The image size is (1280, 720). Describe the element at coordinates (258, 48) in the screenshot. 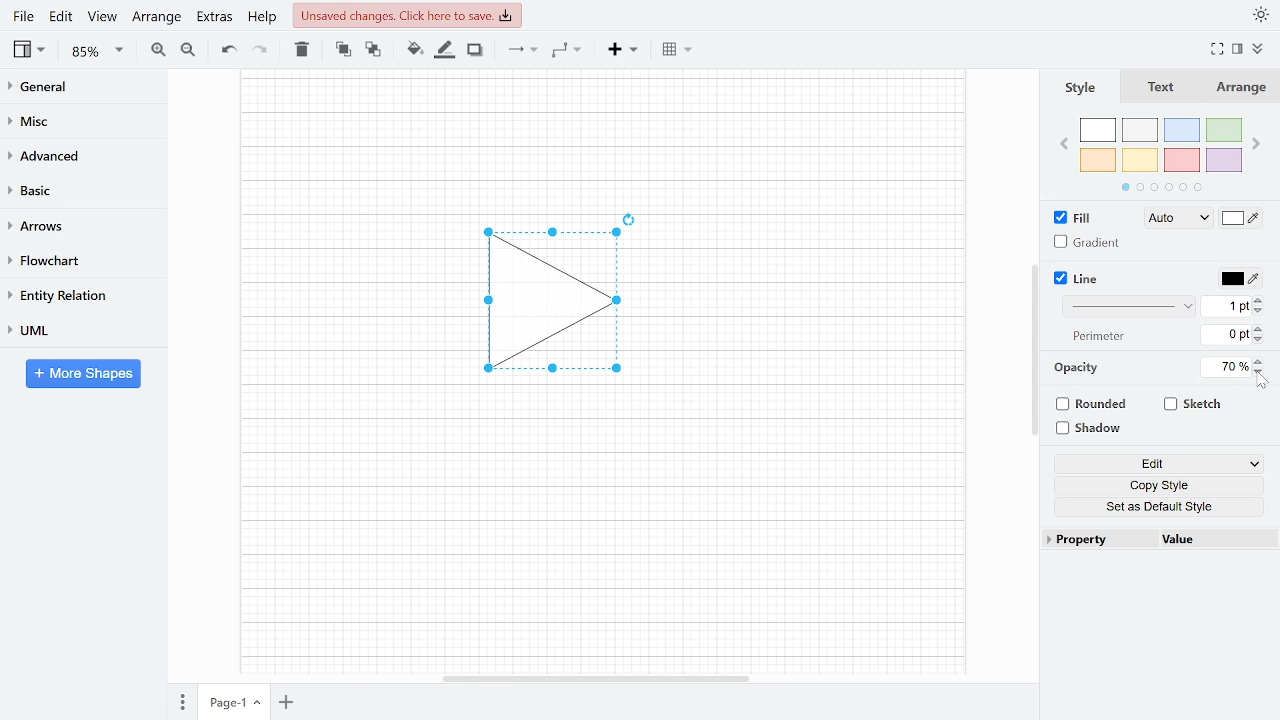

I see `Redo` at that location.